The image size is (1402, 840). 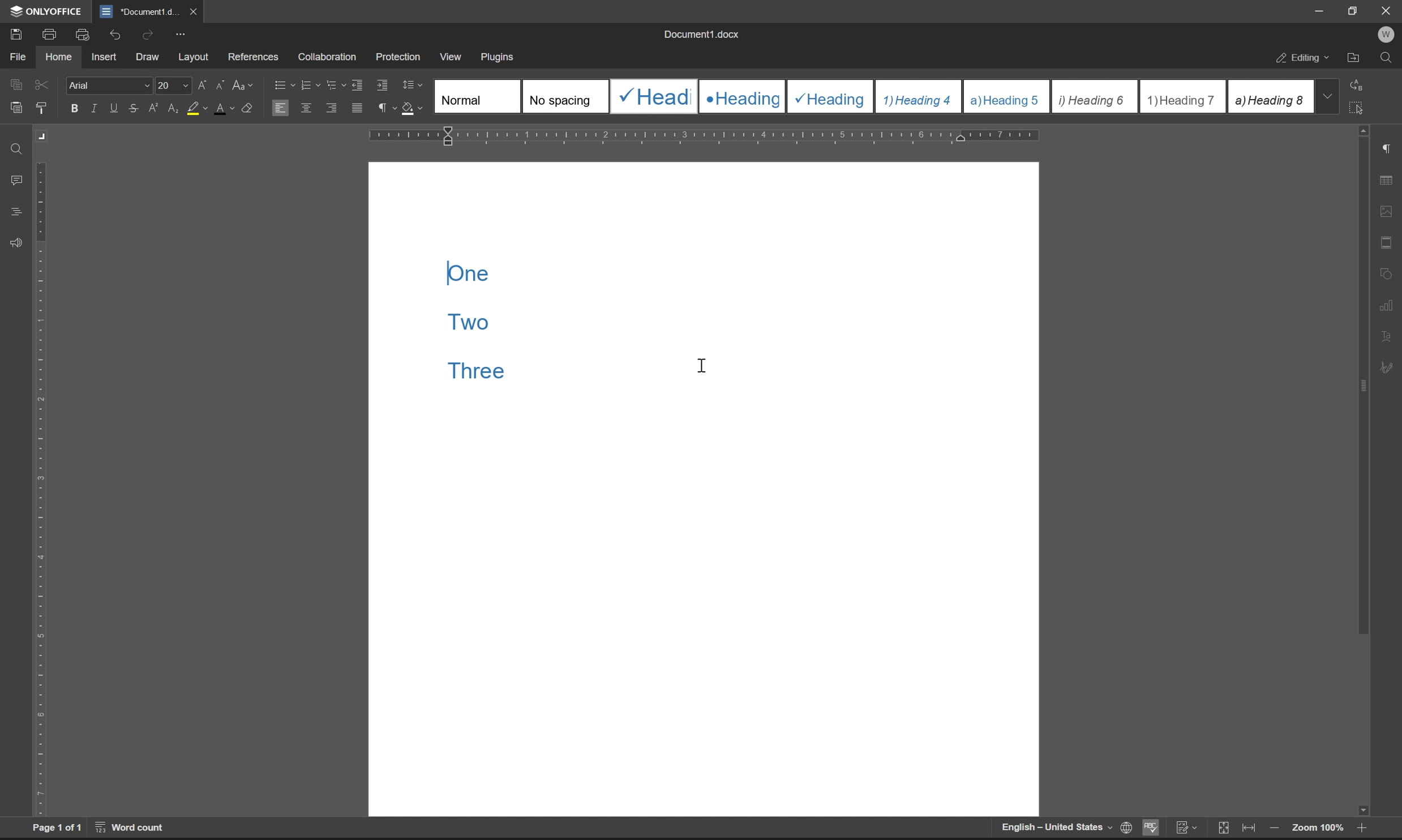 I want to click on text art settings, so click(x=1386, y=336).